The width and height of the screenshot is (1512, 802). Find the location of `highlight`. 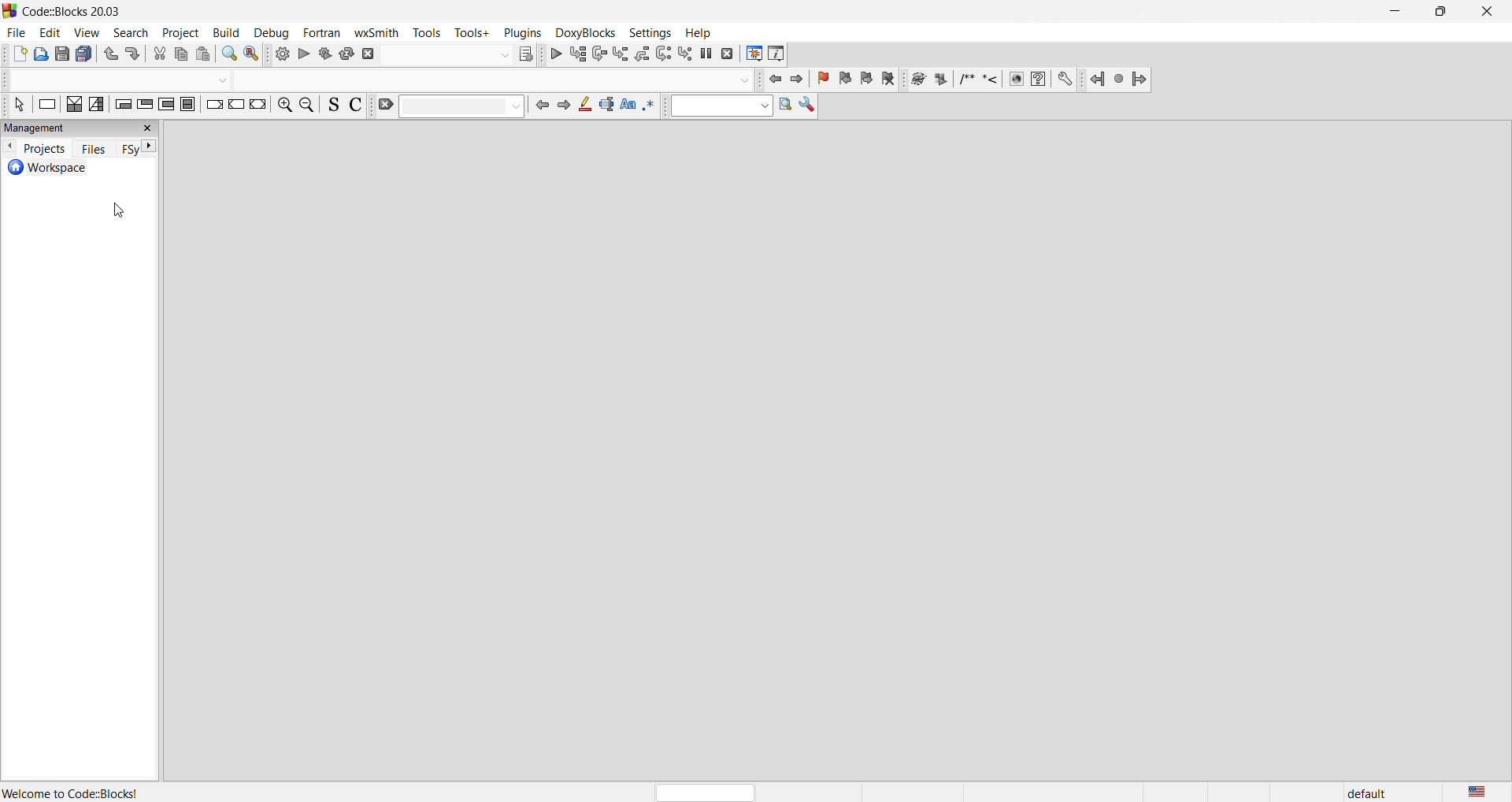

highlight is located at coordinates (584, 105).